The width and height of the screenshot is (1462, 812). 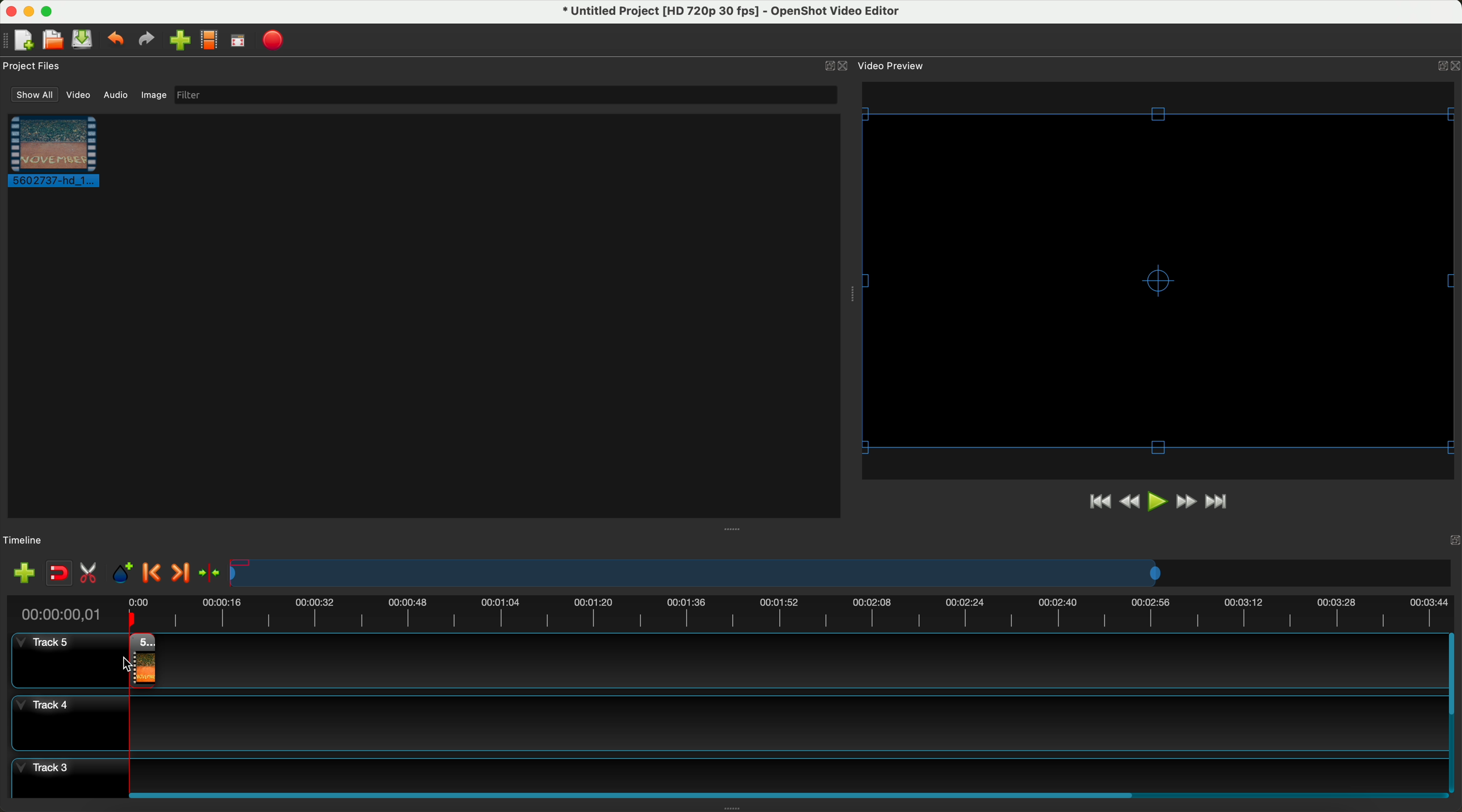 I want to click on scroll bar, so click(x=785, y=793).